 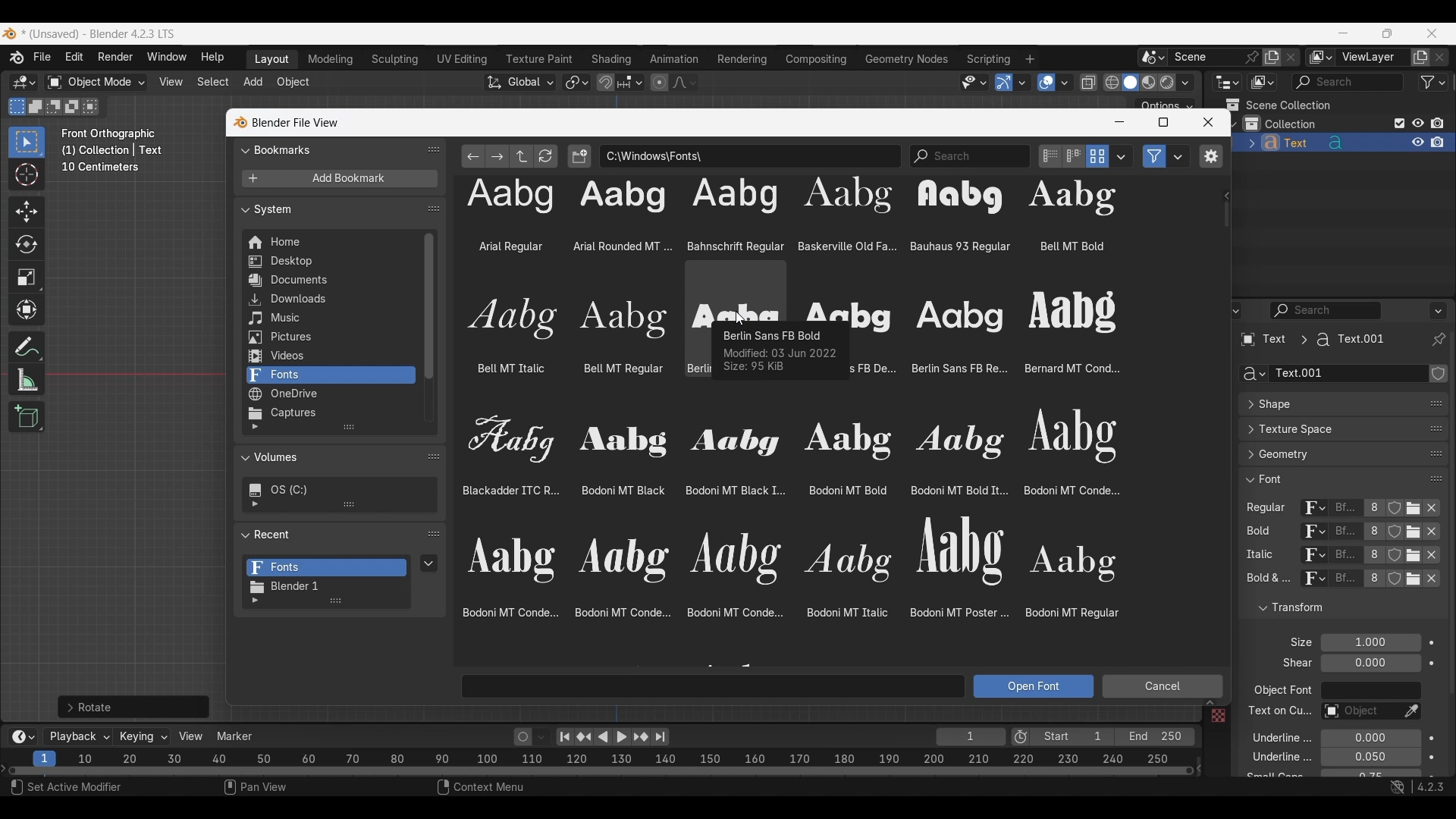 I want to click on Refresh file list, so click(x=546, y=156).